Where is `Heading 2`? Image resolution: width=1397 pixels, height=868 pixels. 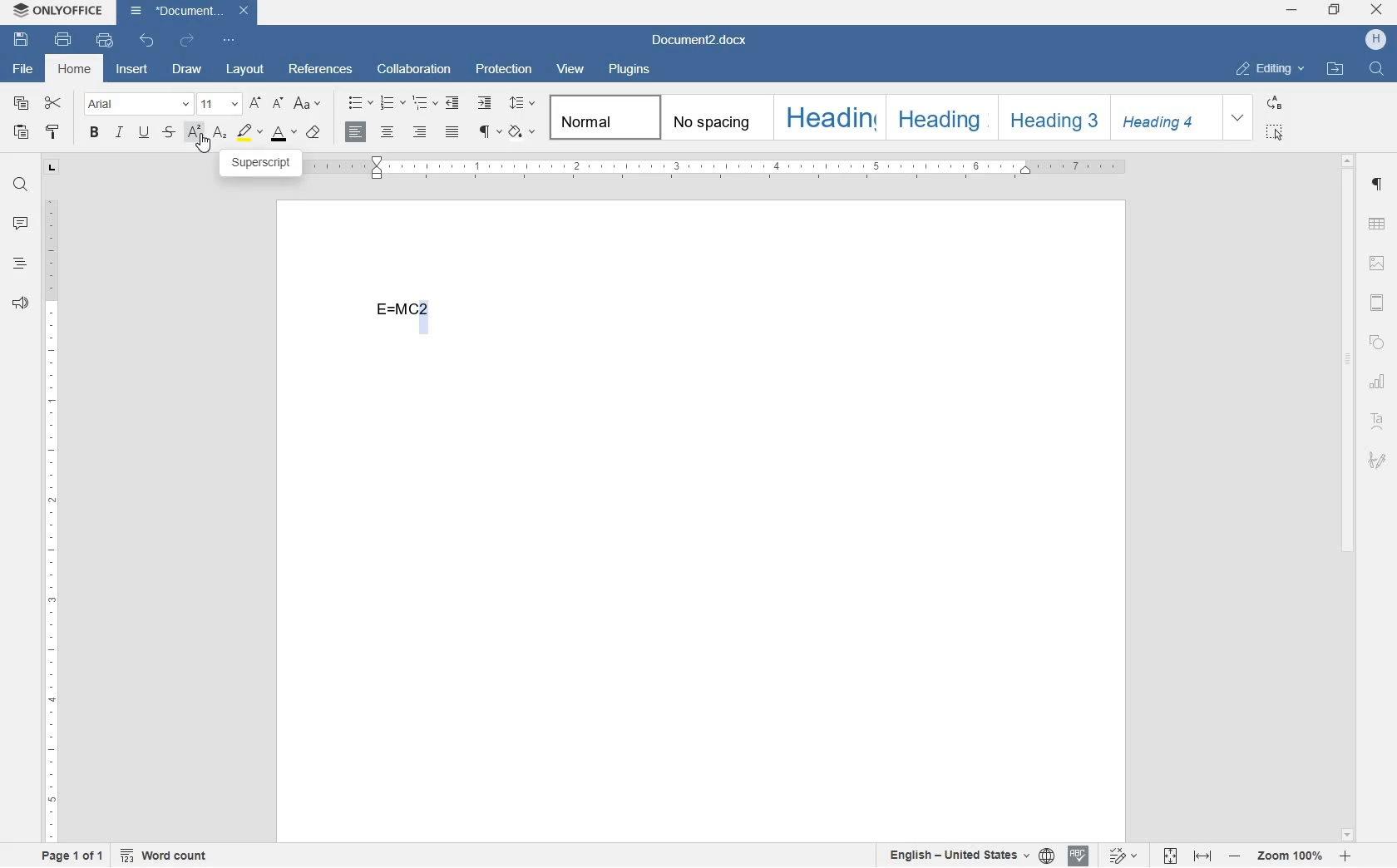 Heading 2 is located at coordinates (939, 118).